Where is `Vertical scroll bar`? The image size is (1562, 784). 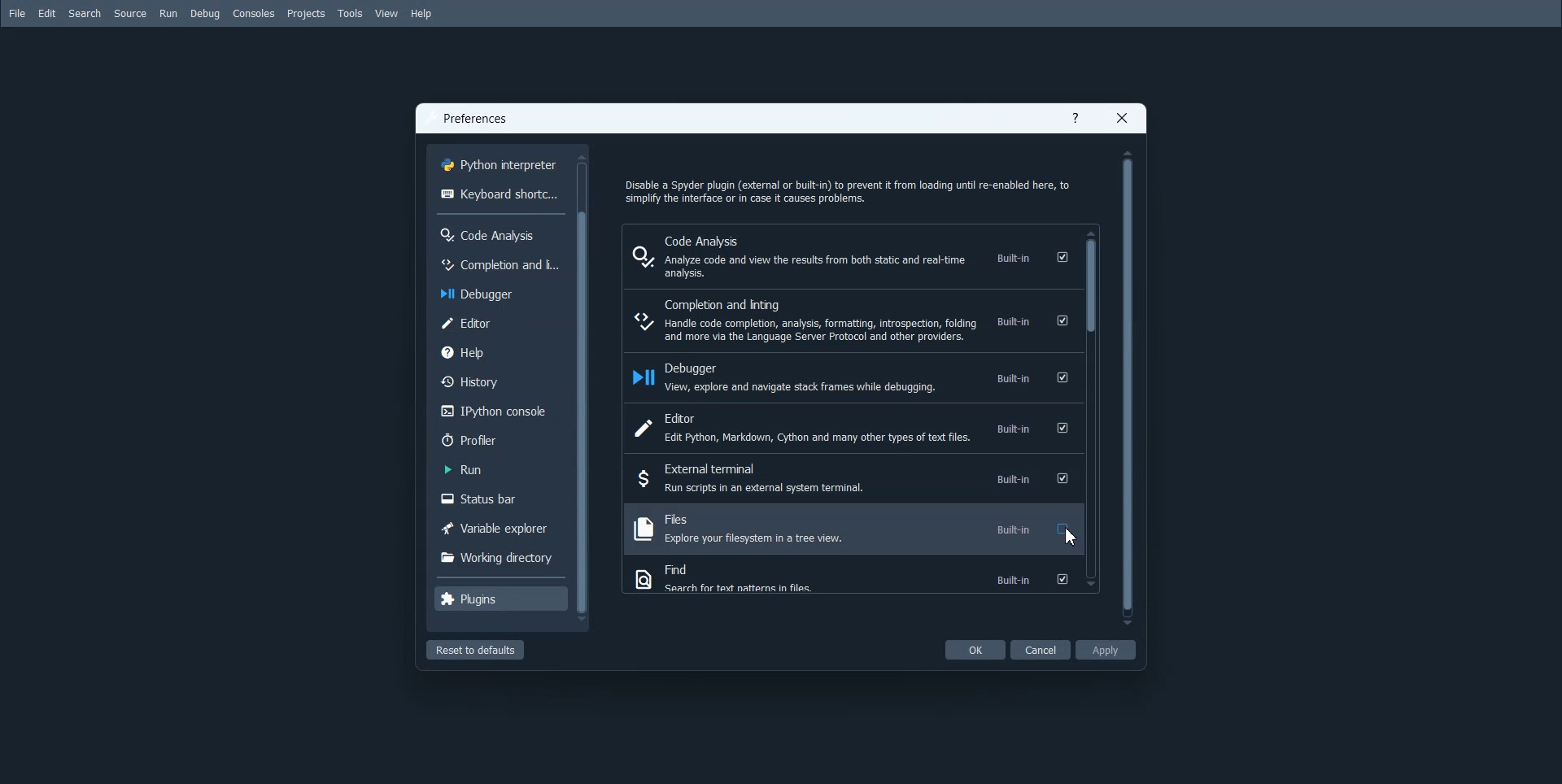 Vertical scroll bar is located at coordinates (1128, 385).